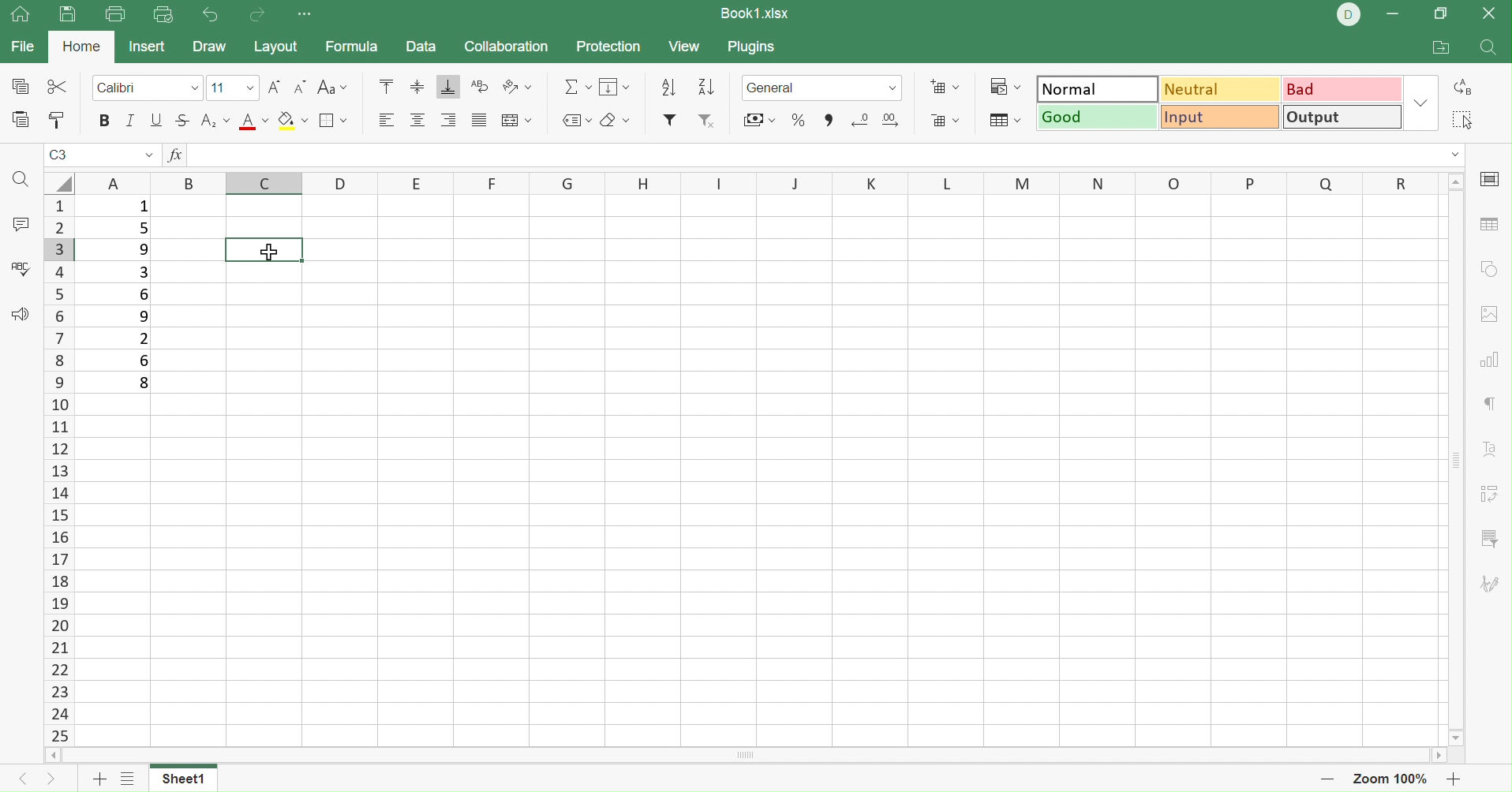  What do you see at coordinates (759, 121) in the screenshot?
I see `Merge & Filter` at bounding box center [759, 121].